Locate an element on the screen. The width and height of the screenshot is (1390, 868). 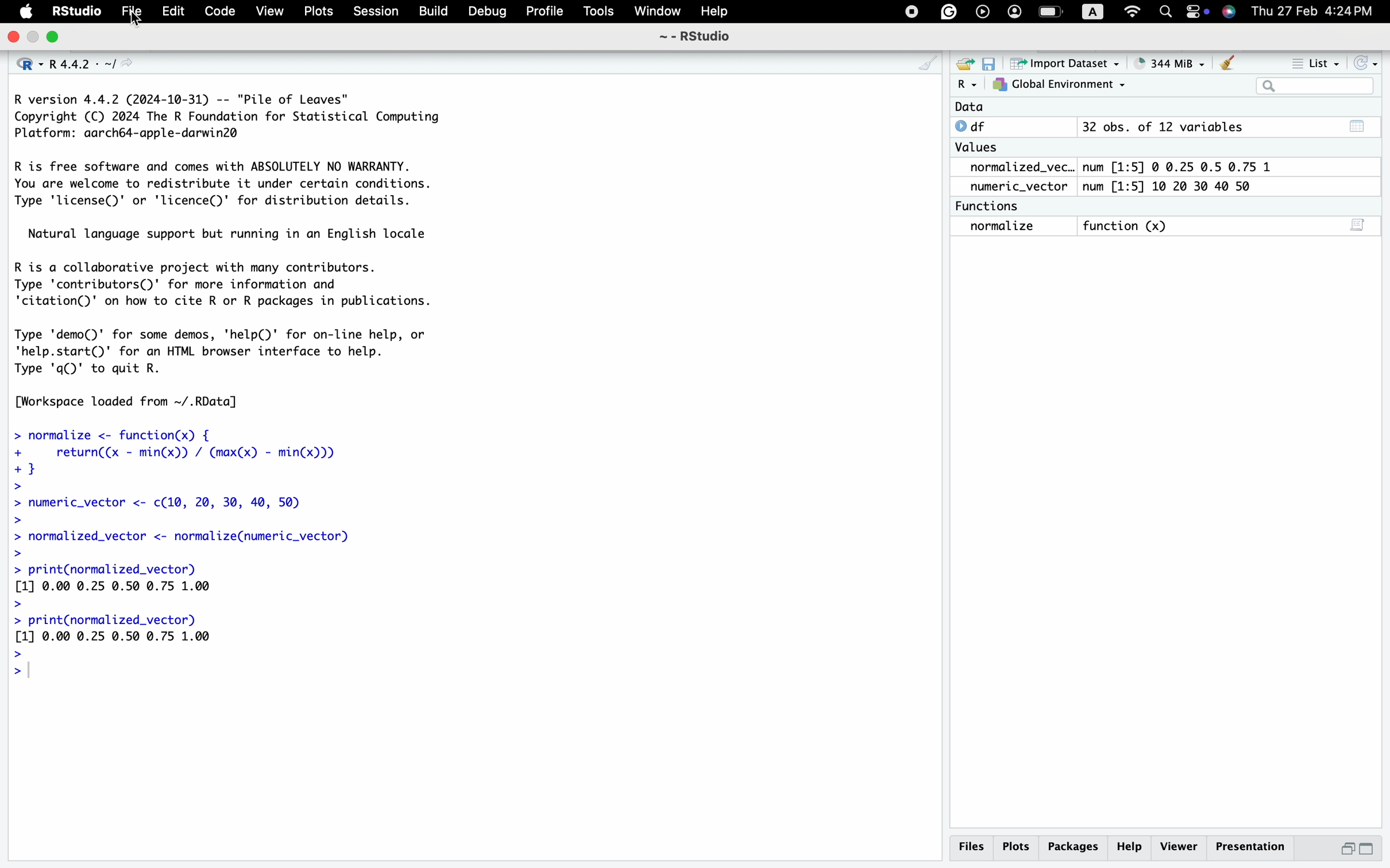
cursor is located at coordinates (137, 22).